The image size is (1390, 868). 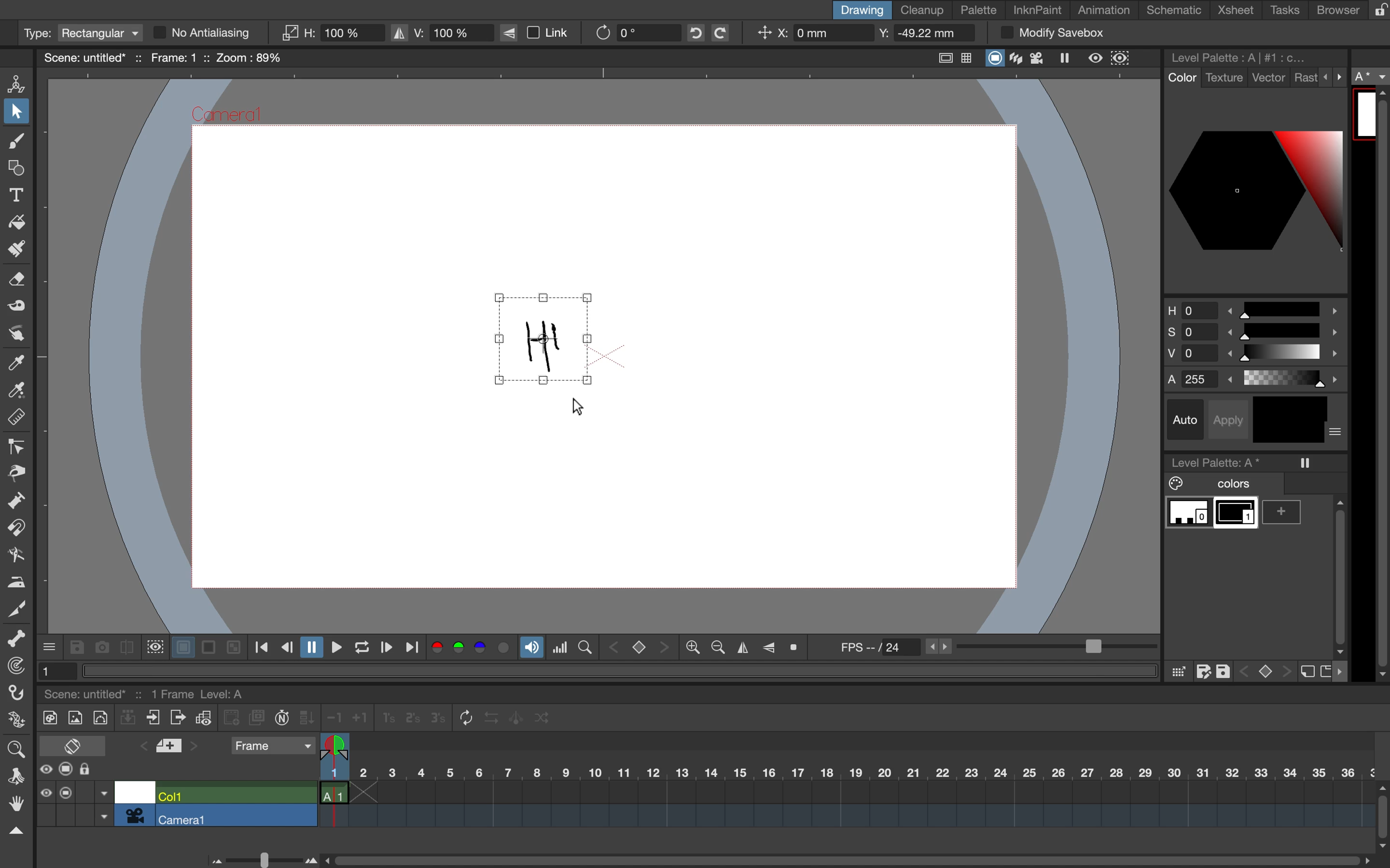 I want to click on cursor, so click(x=577, y=408).